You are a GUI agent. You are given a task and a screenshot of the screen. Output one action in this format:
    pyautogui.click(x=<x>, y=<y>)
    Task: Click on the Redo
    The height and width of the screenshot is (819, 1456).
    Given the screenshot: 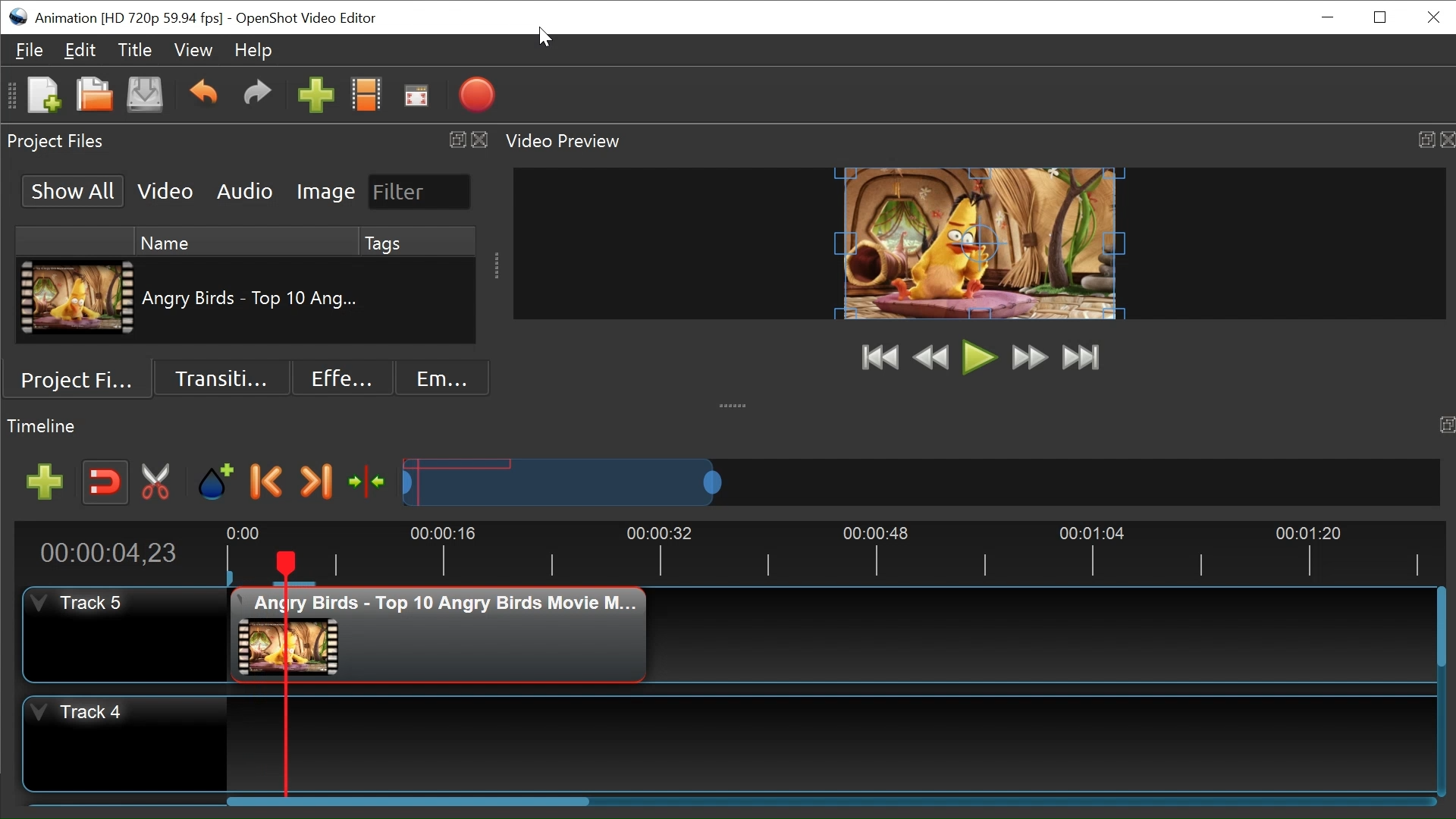 What is the action you would take?
    pyautogui.click(x=258, y=94)
    